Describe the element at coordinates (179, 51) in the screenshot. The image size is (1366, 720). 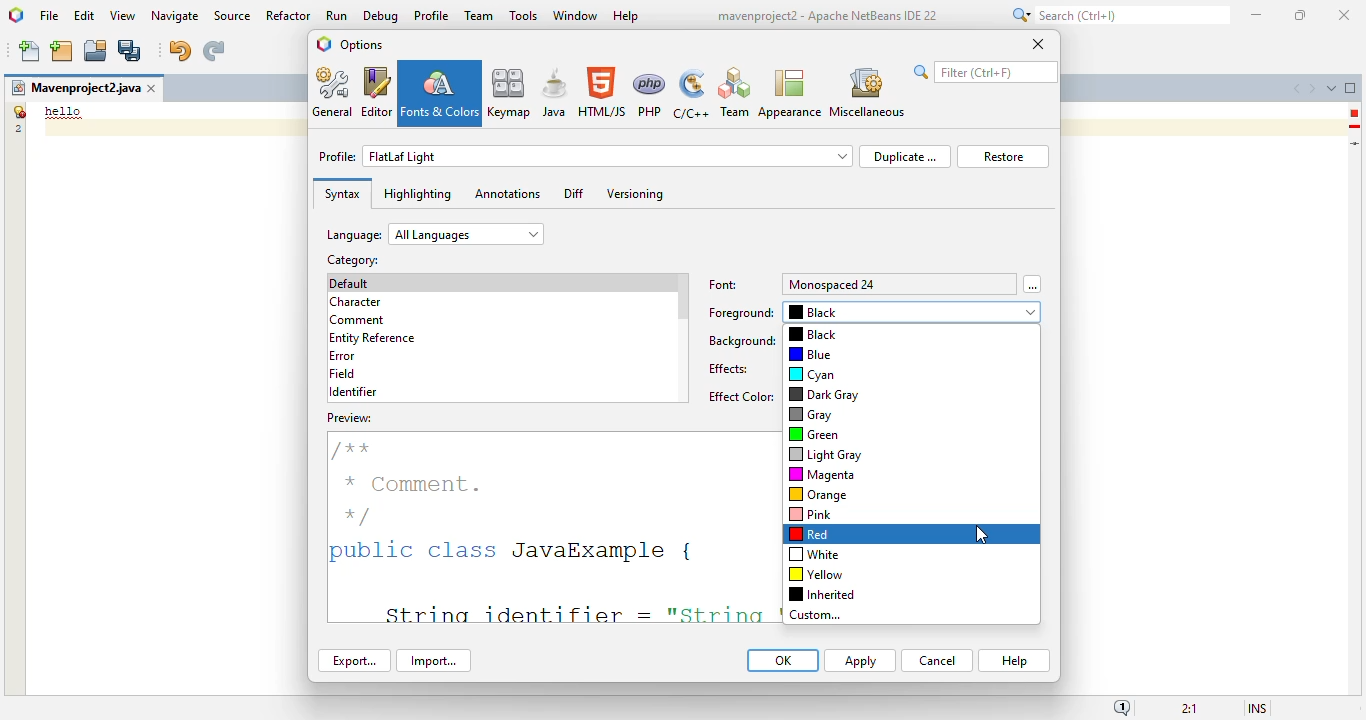
I see `undo` at that location.